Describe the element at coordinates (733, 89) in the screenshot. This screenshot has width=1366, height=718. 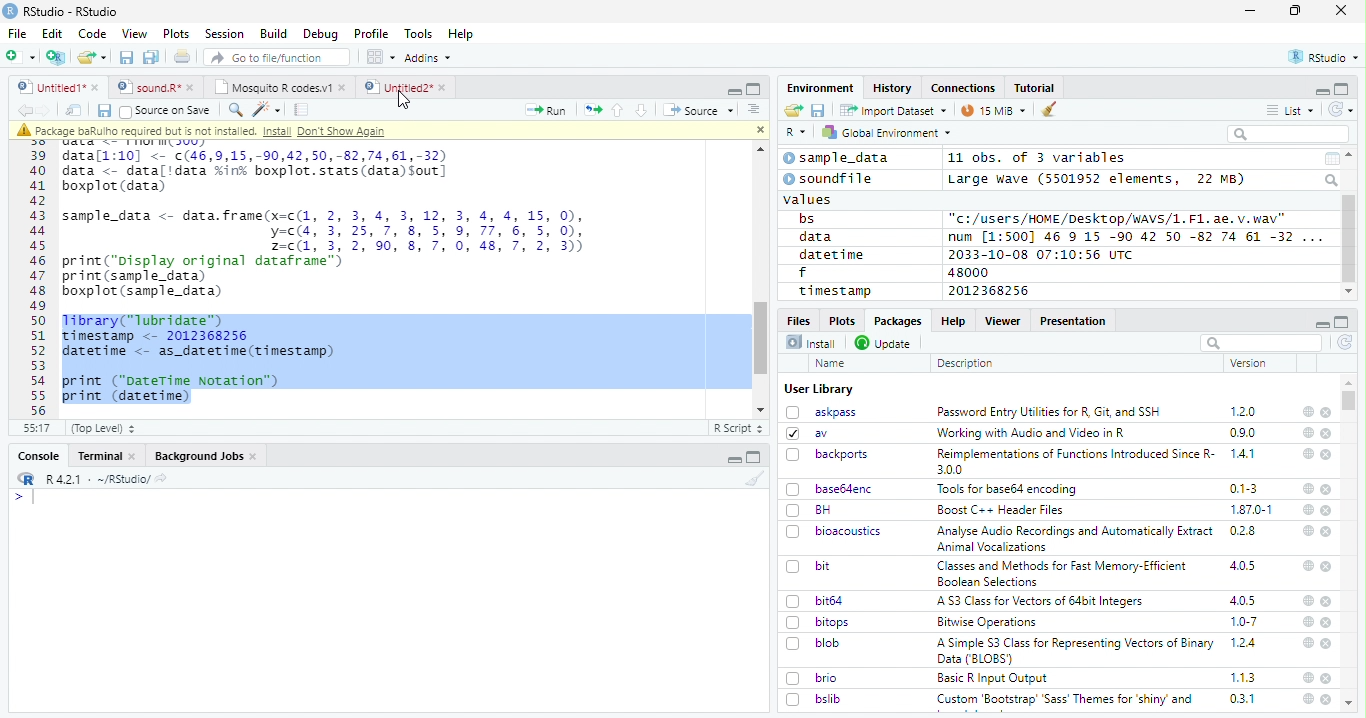
I see `minimize` at that location.